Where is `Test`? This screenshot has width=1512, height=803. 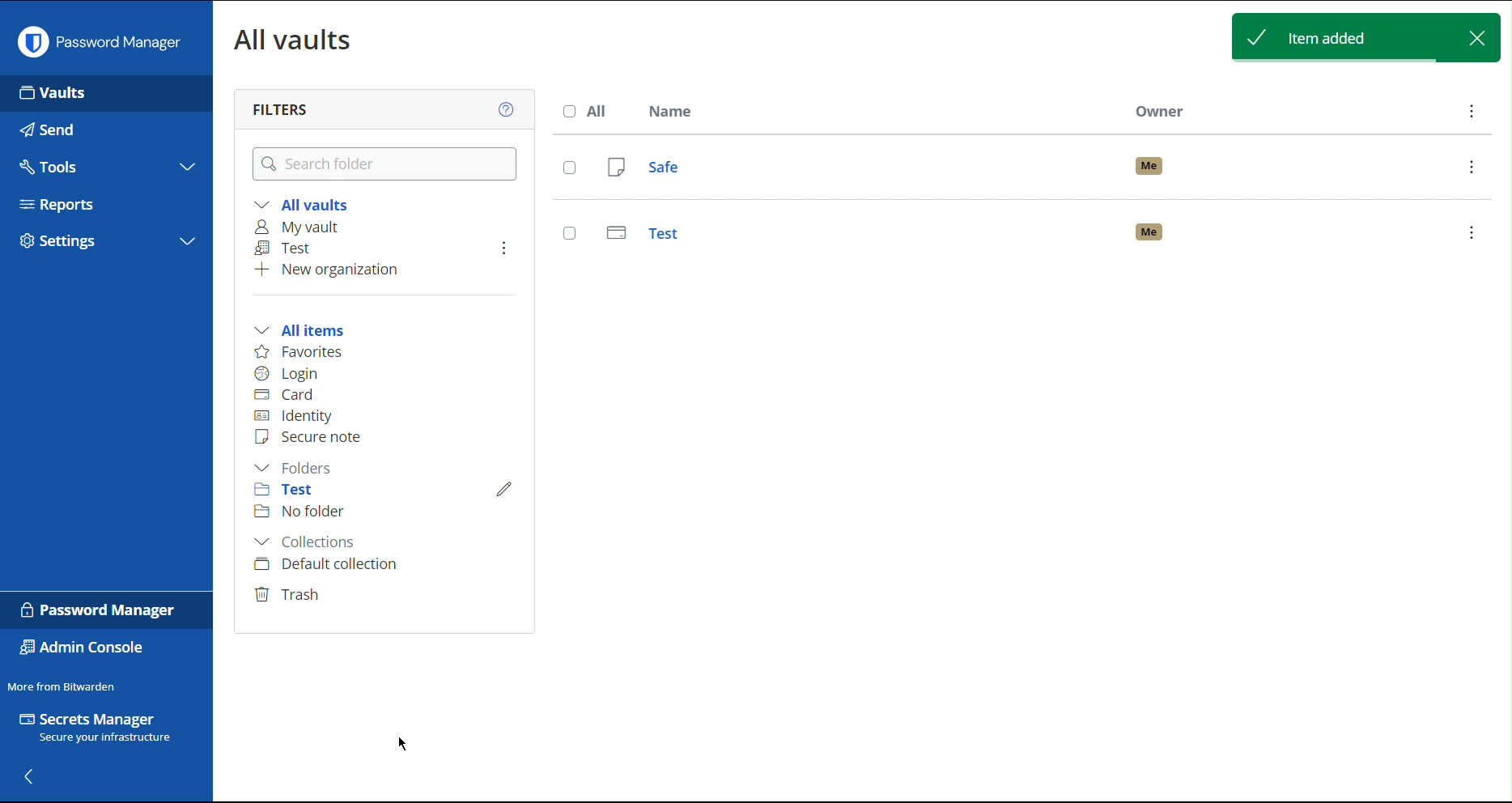 Test is located at coordinates (1017, 233).